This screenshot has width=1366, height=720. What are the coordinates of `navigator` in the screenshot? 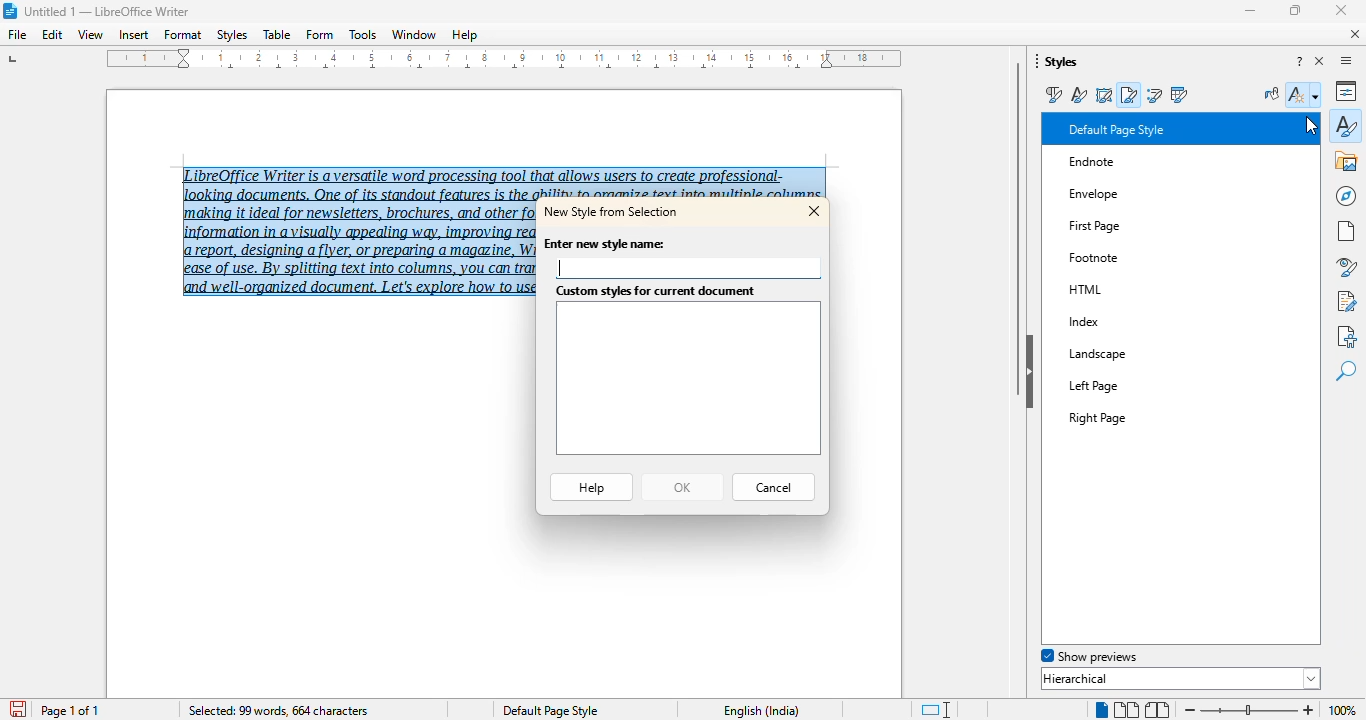 It's located at (1345, 197).